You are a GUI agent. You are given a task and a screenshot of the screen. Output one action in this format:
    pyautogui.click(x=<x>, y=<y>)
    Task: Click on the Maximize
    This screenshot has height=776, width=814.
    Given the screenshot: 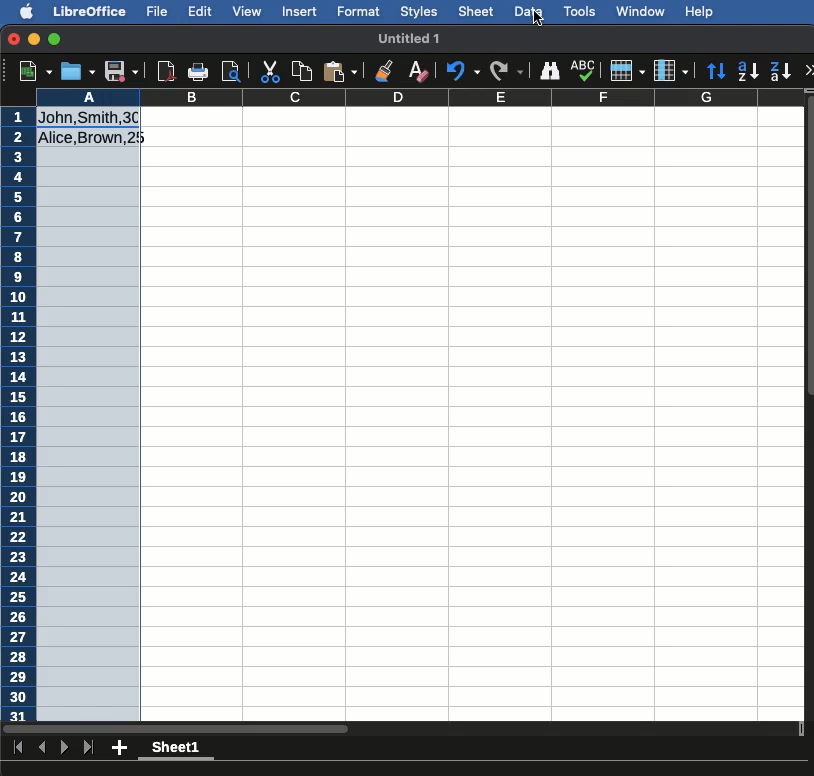 What is the action you would take?
    pyautogui.click(x=55, y=39)
    